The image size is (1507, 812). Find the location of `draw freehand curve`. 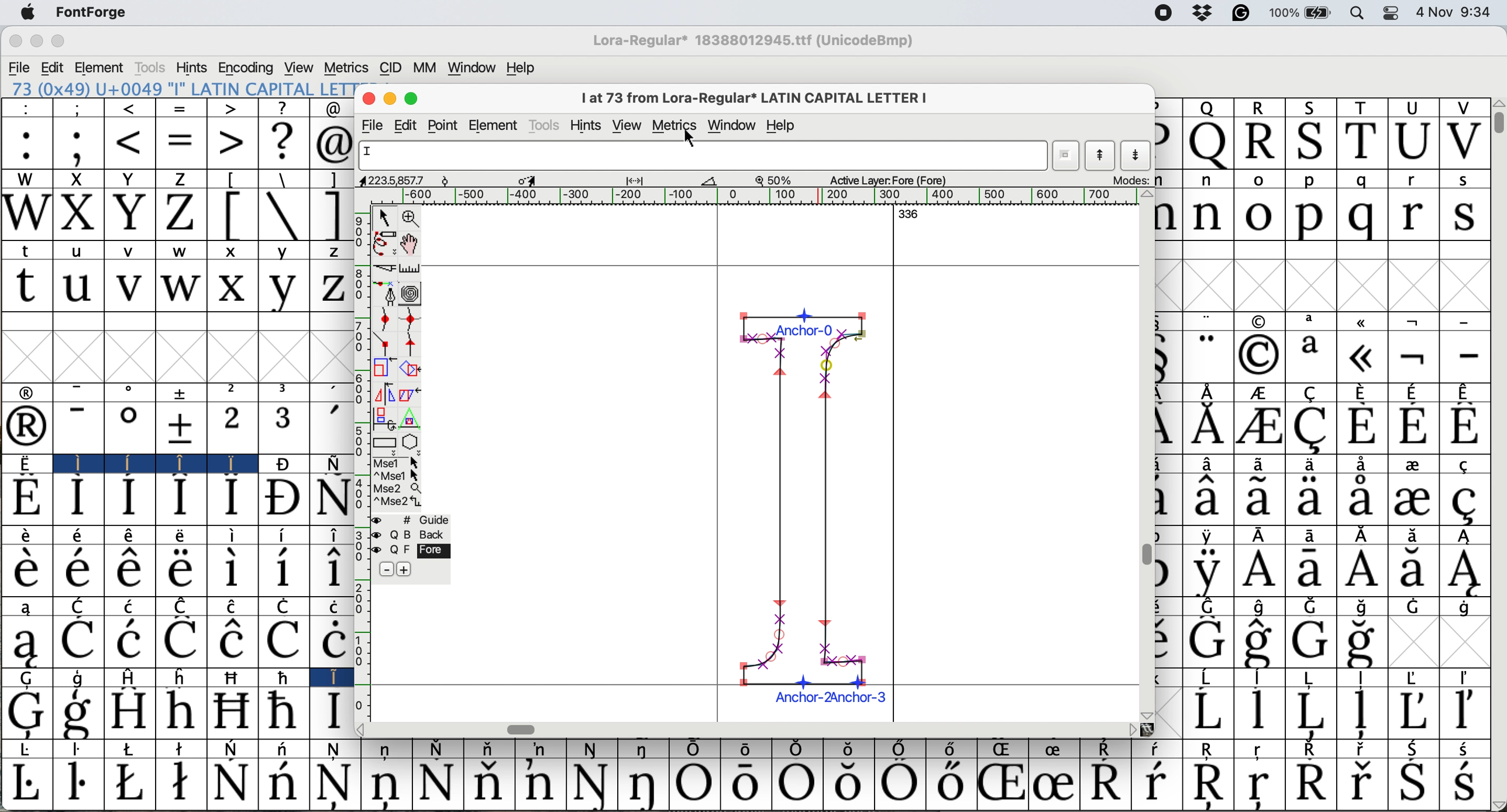

draw freehand curve is located at coordinates (383, 242).